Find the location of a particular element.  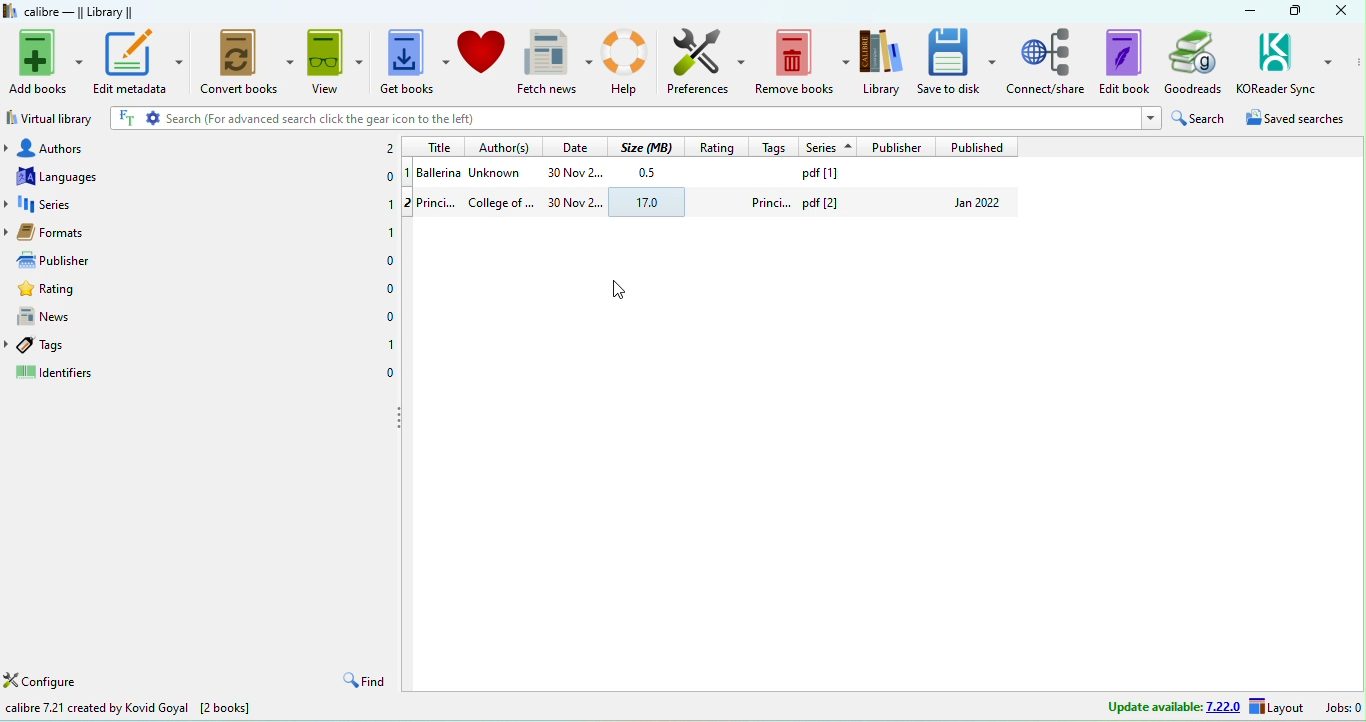

View is located at coordinates (338, 59).